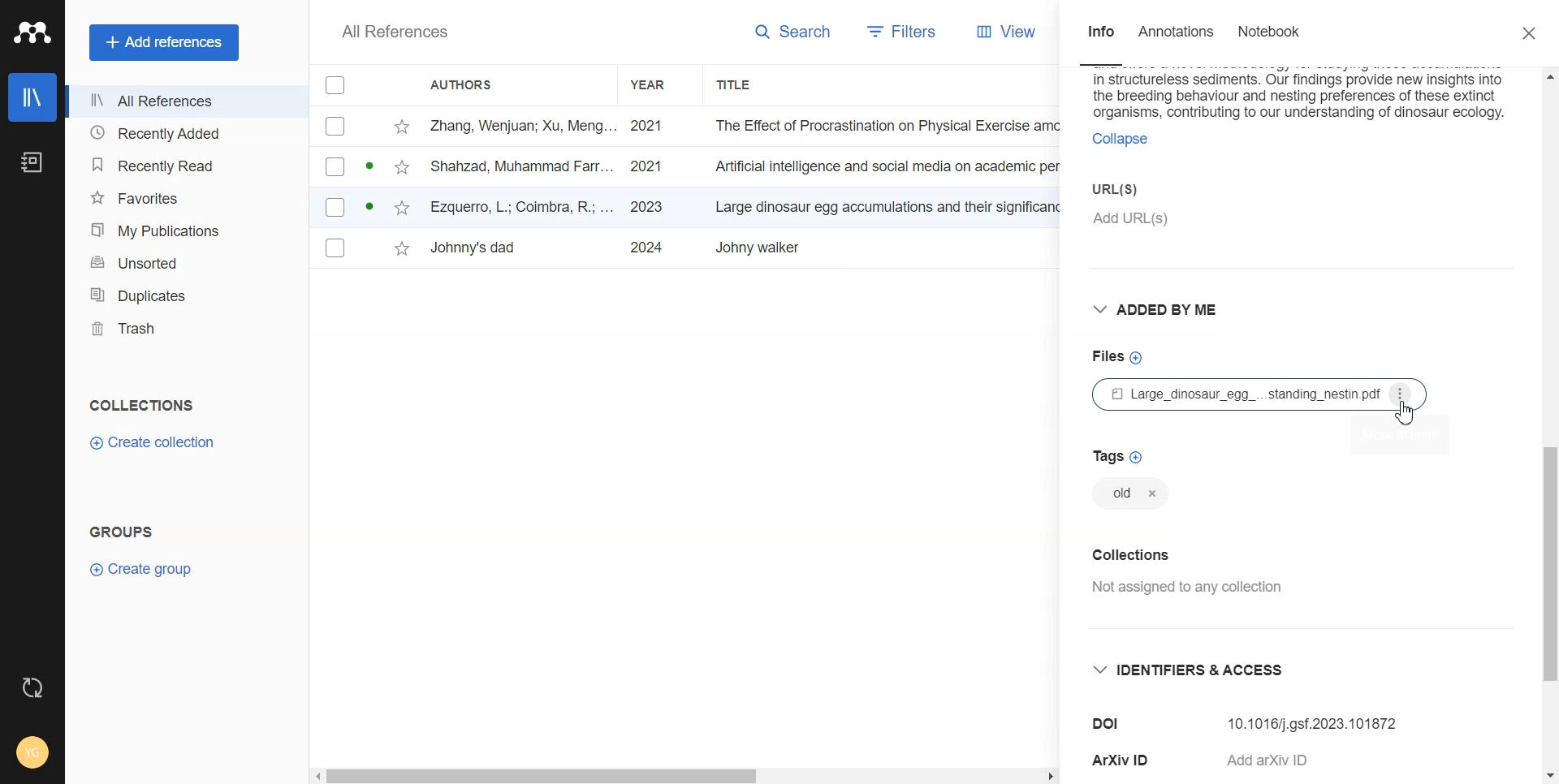  Describe the element at coordinates (1178, 32) in the screenshot. I see `Annotations` at that location.